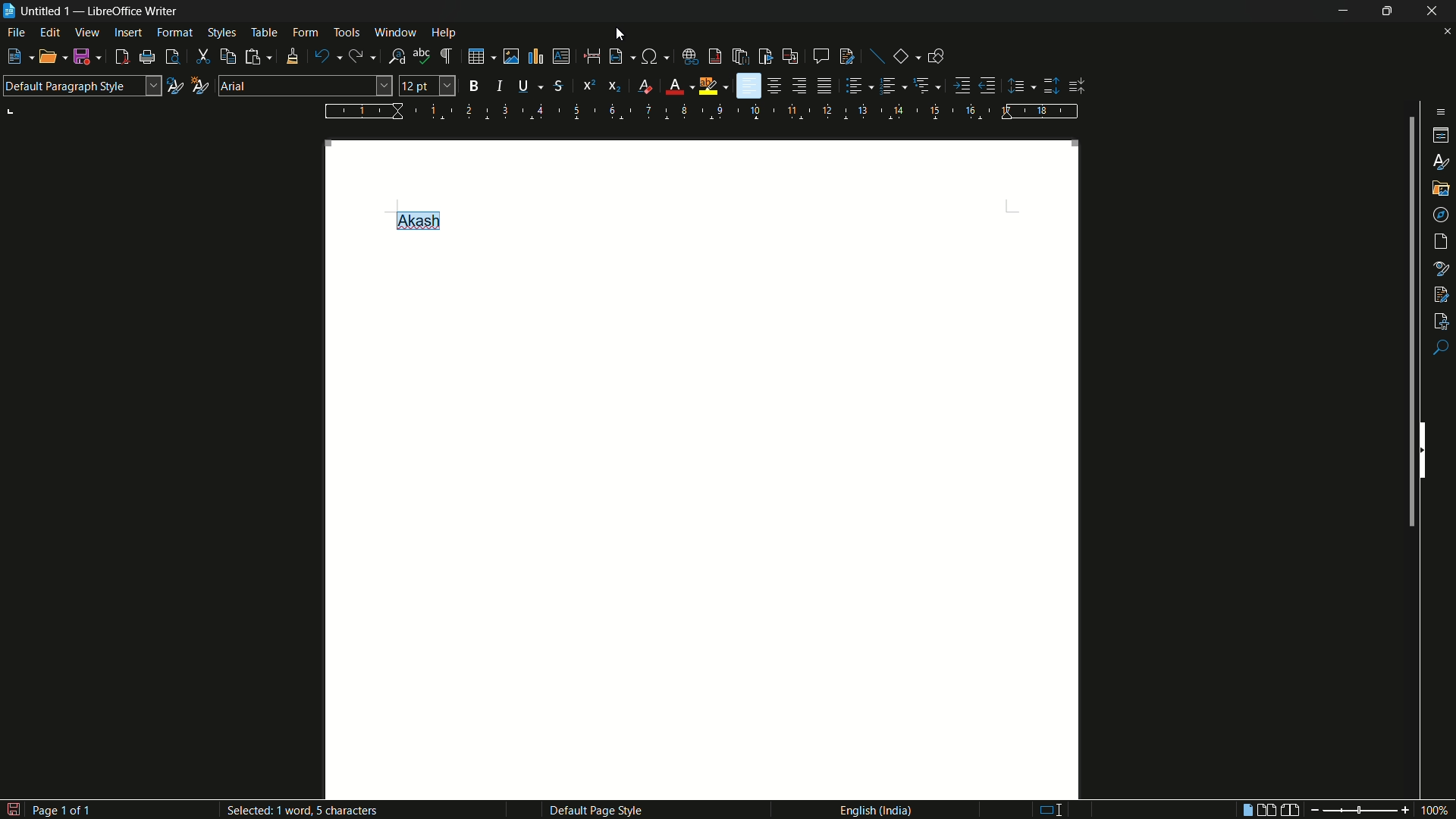  Describe the element at coordinates (1442, 319) in the screenshot. I see `accessibility check` at that location.